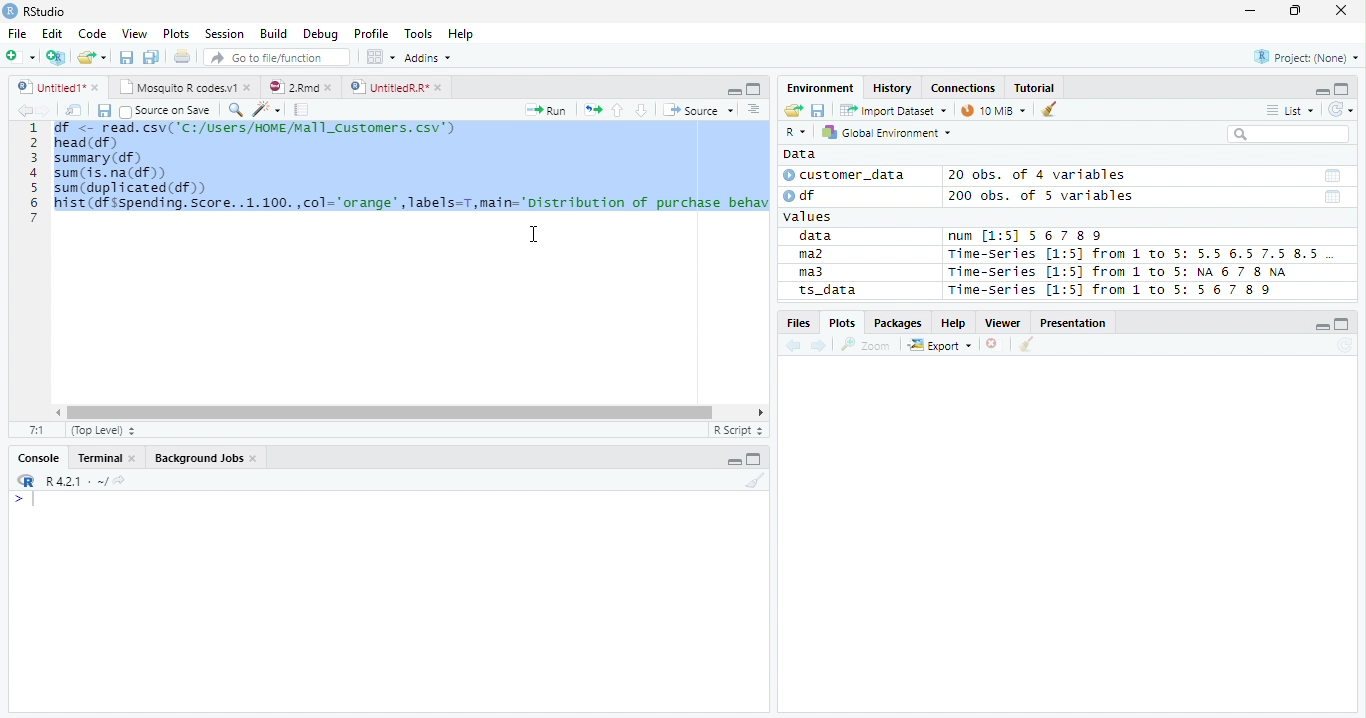 The height and width of the screenshot is (718, 1366). Describe the element at coordinates (822, 88) in the screenshot. I see `Environment` at that location.